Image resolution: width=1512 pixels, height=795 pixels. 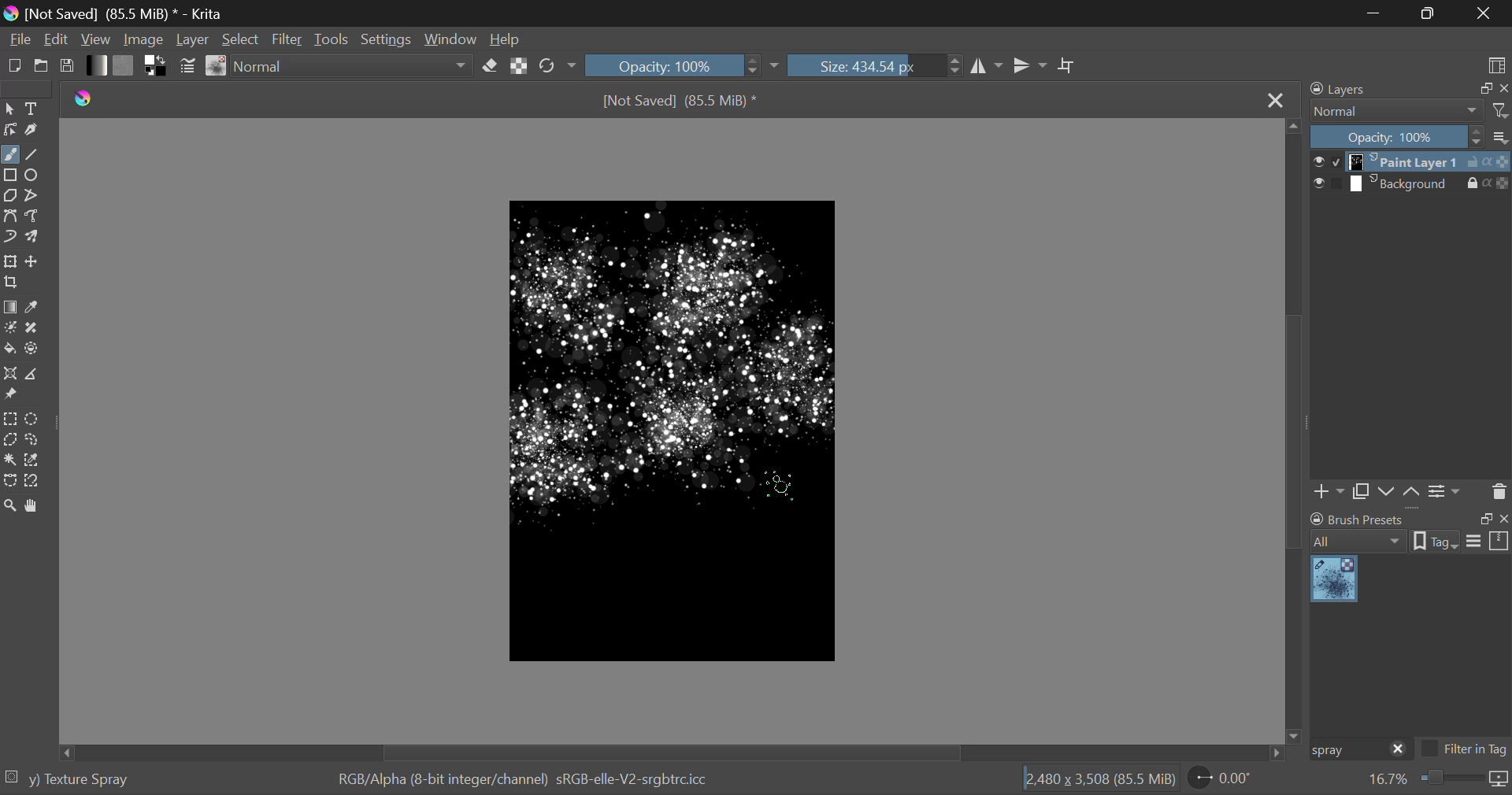 What do you see at coordinates (1406, 163) in the screenshot?
I see `layer 1` at bounding box center [1406, 163].